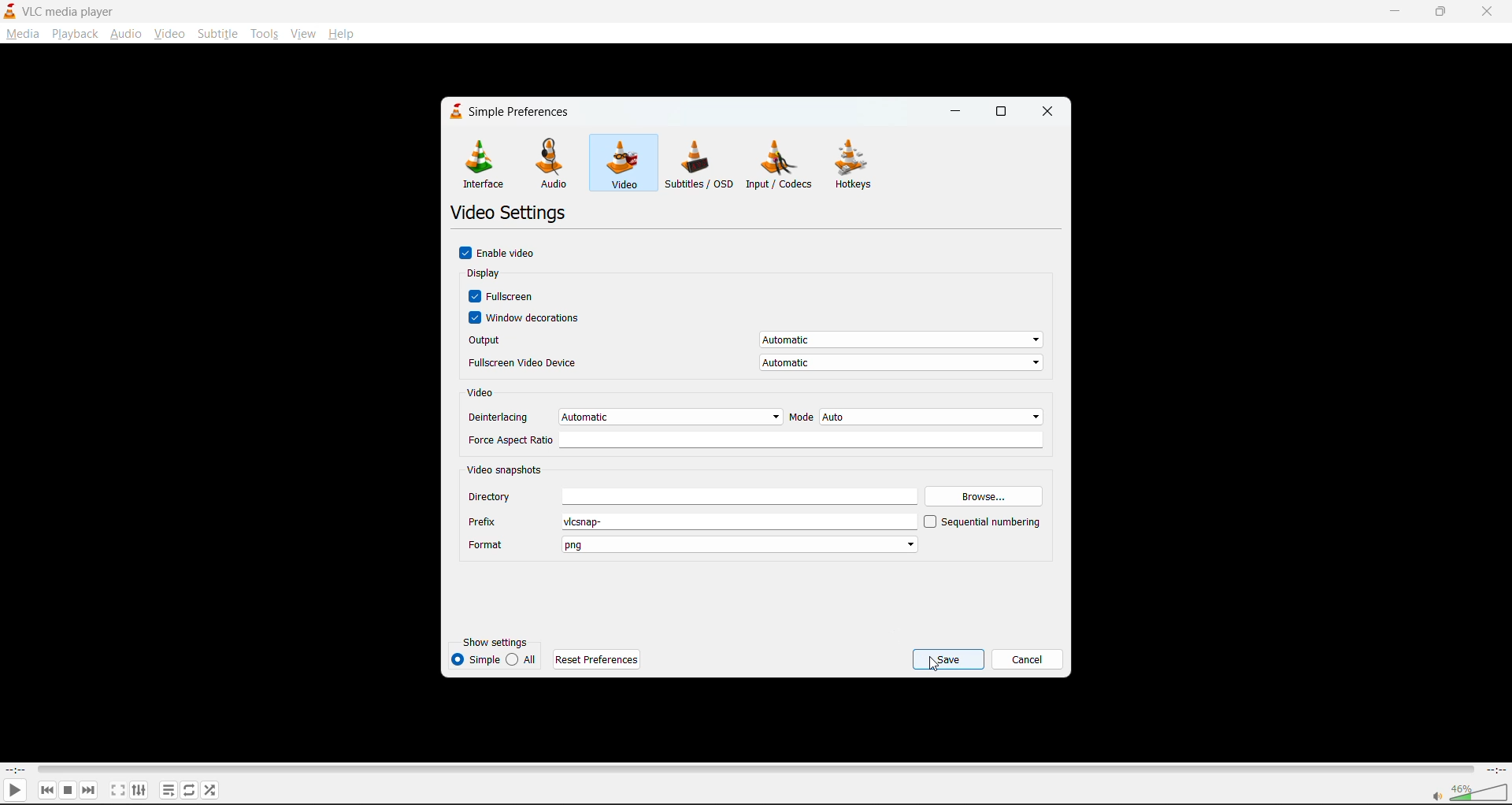 The height and width of the screenshot is (805, 1512). Describe the element at coordinates (755, 440) in the screenshot. I see `force aspect ratio` at that location.